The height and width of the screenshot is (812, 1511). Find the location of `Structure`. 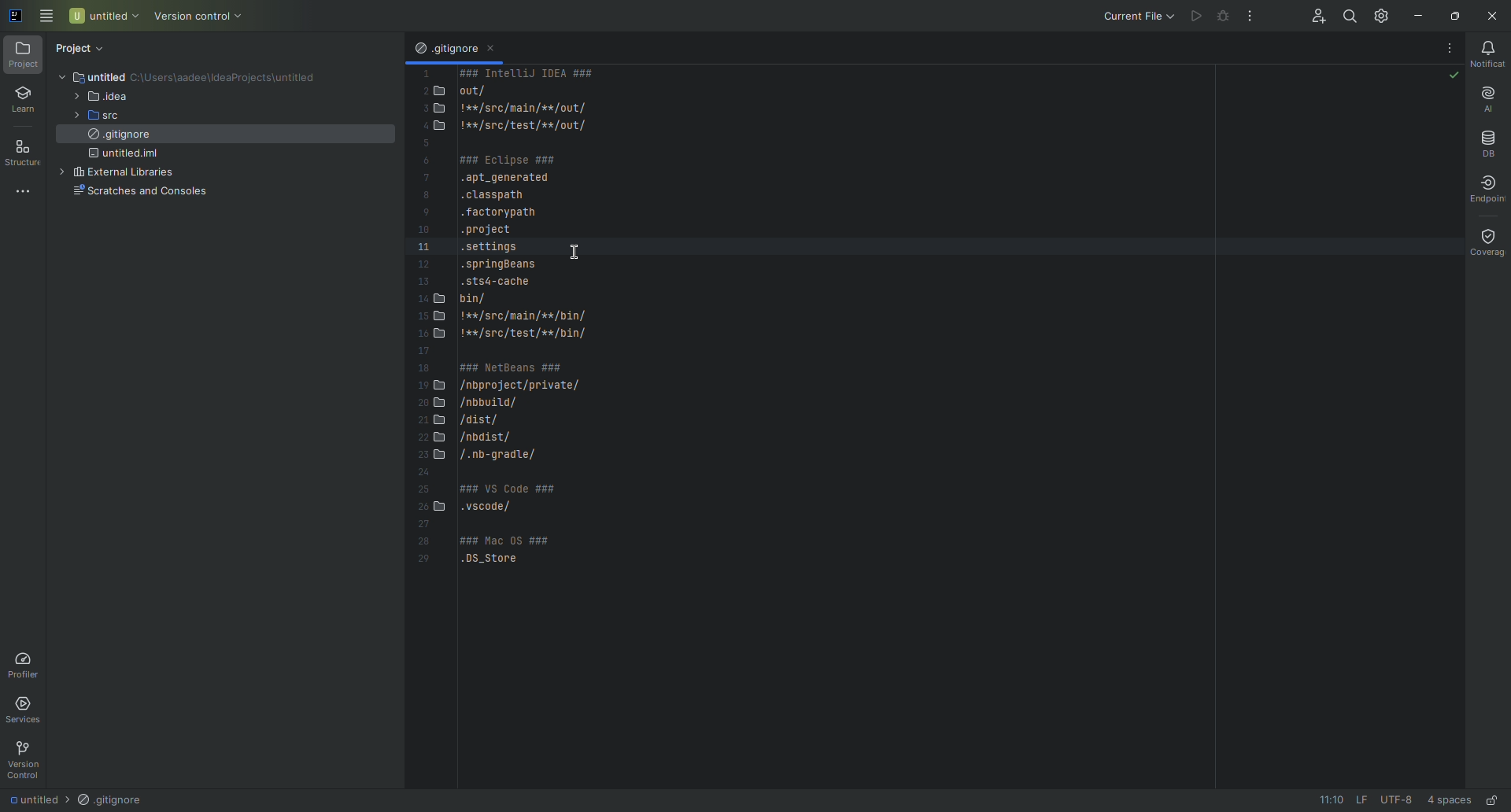

Structure is located at coordinates (26, 152).